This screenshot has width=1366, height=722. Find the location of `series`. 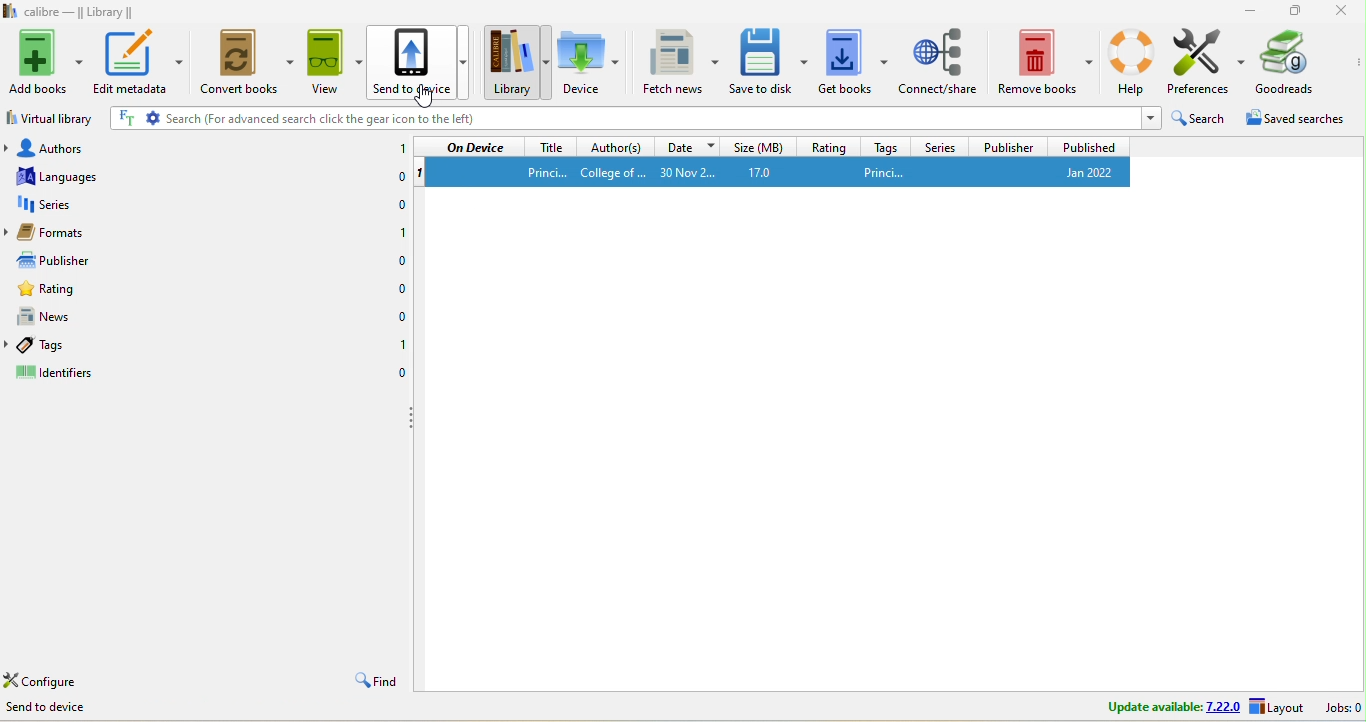

series is located at coordinates (940, 146).